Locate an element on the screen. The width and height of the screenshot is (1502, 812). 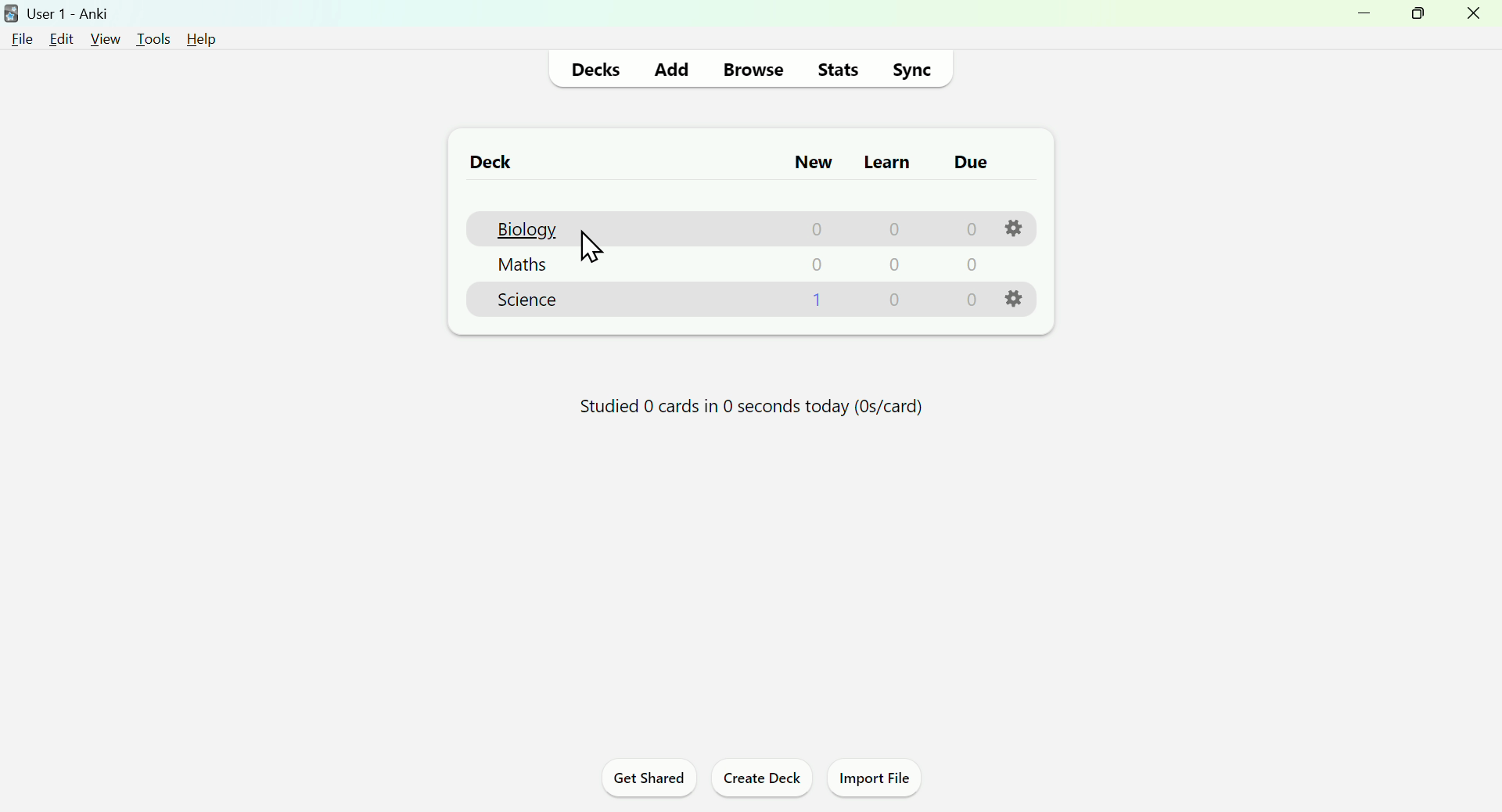
user1-anki is located at coordinates (58, 13).